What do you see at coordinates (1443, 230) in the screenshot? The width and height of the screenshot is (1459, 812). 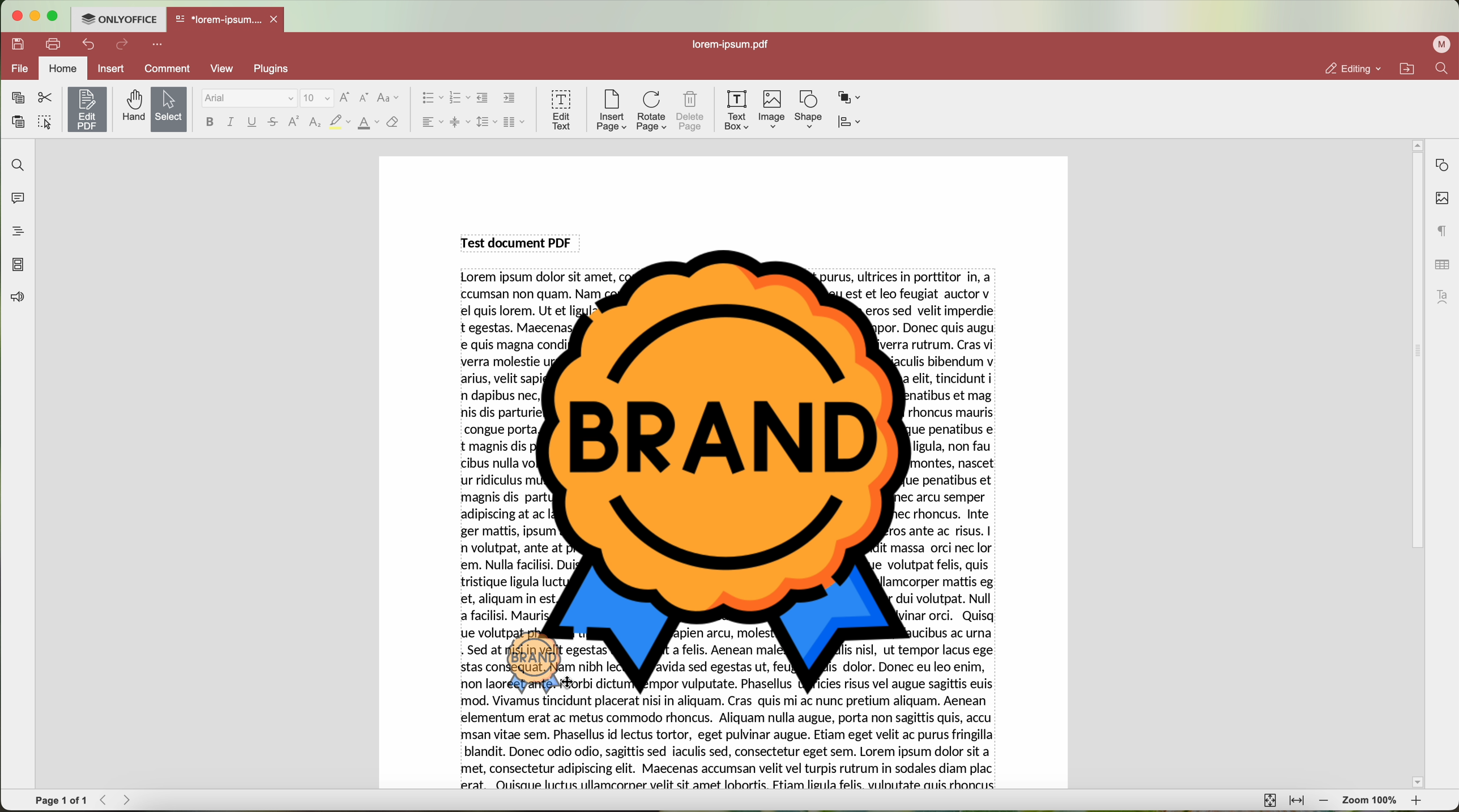 I see `paragraph settings` at bounding box center [1443, 230].